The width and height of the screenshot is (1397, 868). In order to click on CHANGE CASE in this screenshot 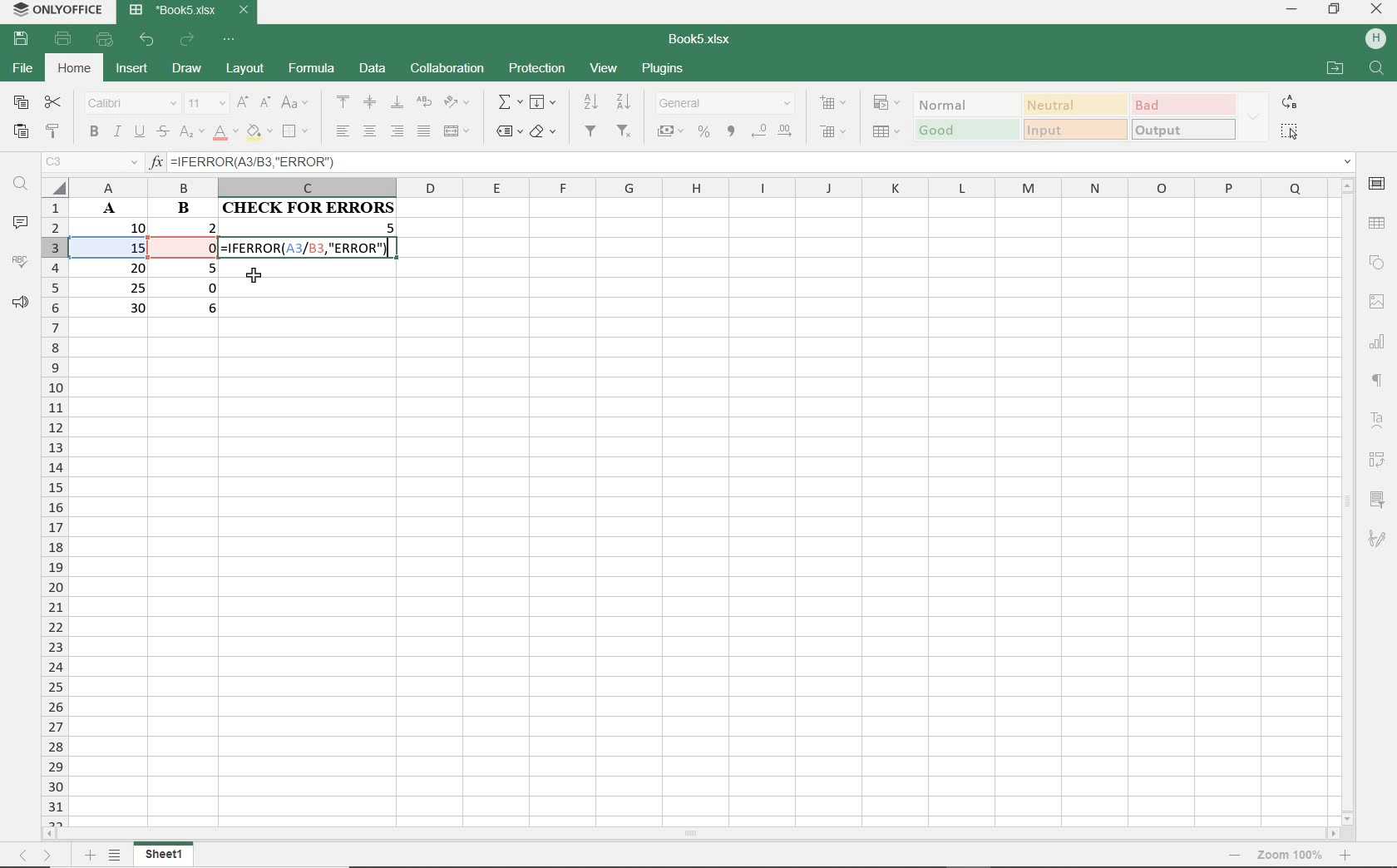, I will do `click(296, 103)`.